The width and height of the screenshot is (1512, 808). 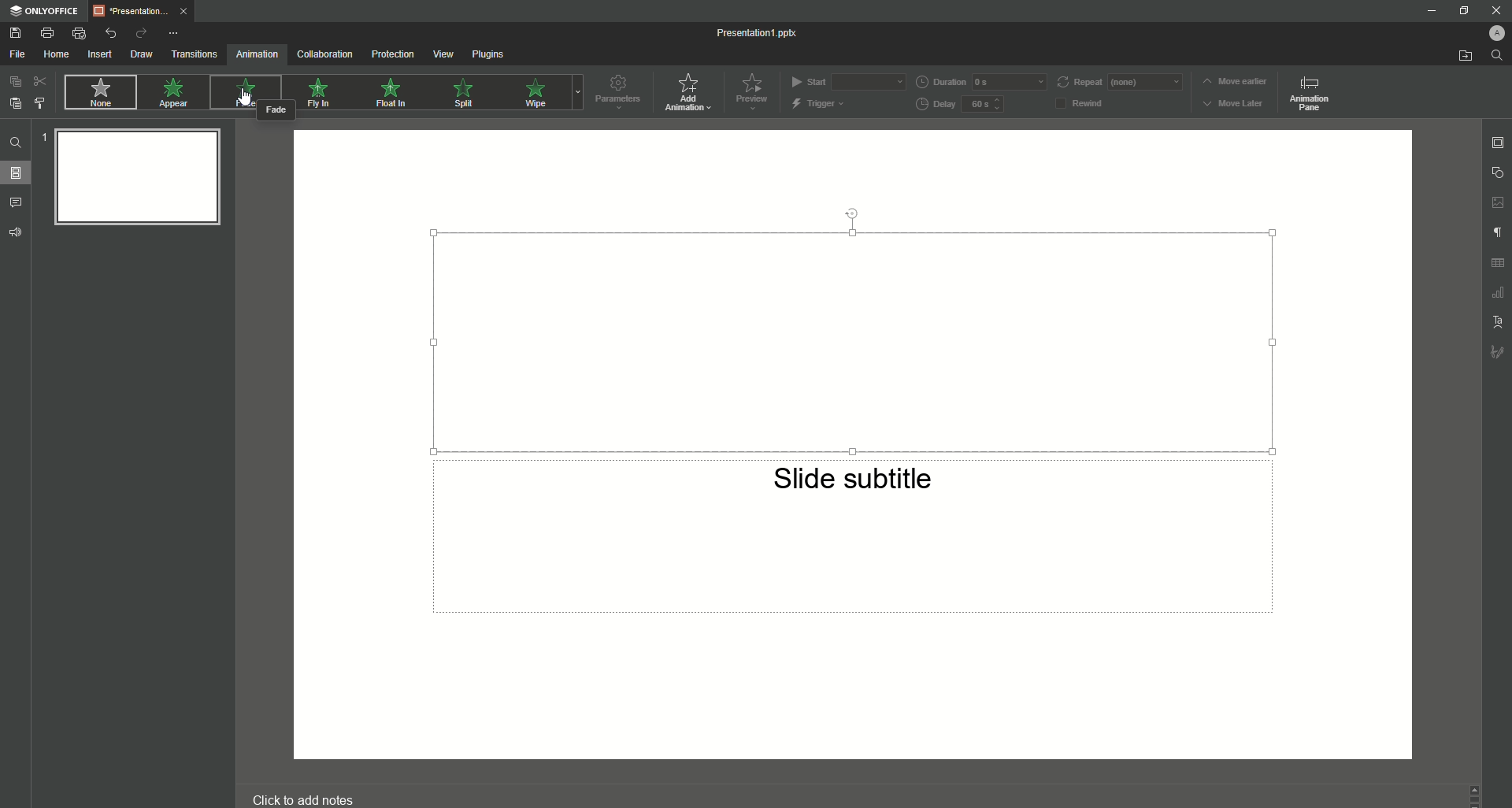 I want to click on Move Earlier, so click(x=1234, y=83).